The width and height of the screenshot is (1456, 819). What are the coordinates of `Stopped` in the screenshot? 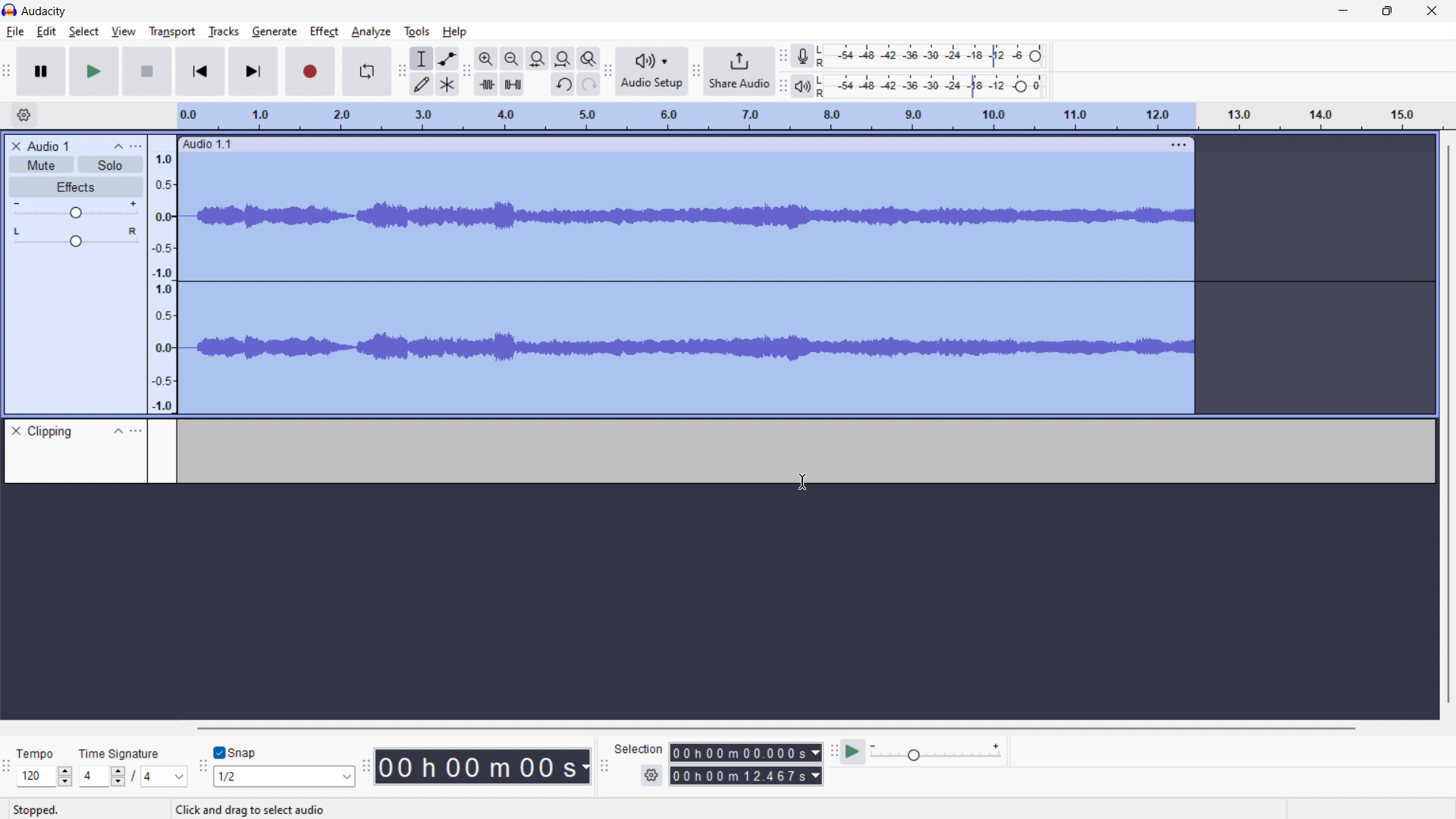 It's located at (38, 810).